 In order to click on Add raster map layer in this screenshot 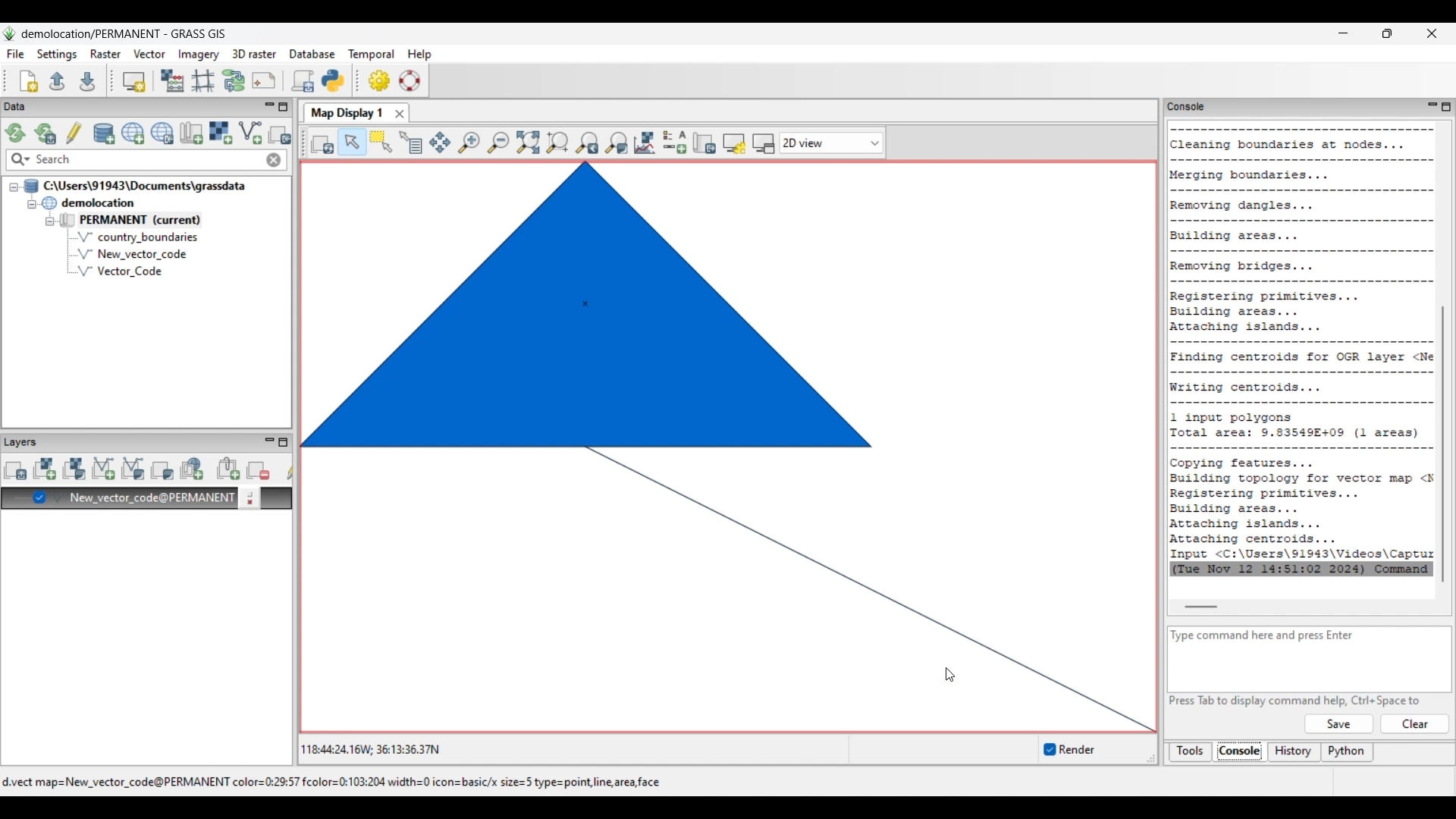, I will do `click(45, 469)`.